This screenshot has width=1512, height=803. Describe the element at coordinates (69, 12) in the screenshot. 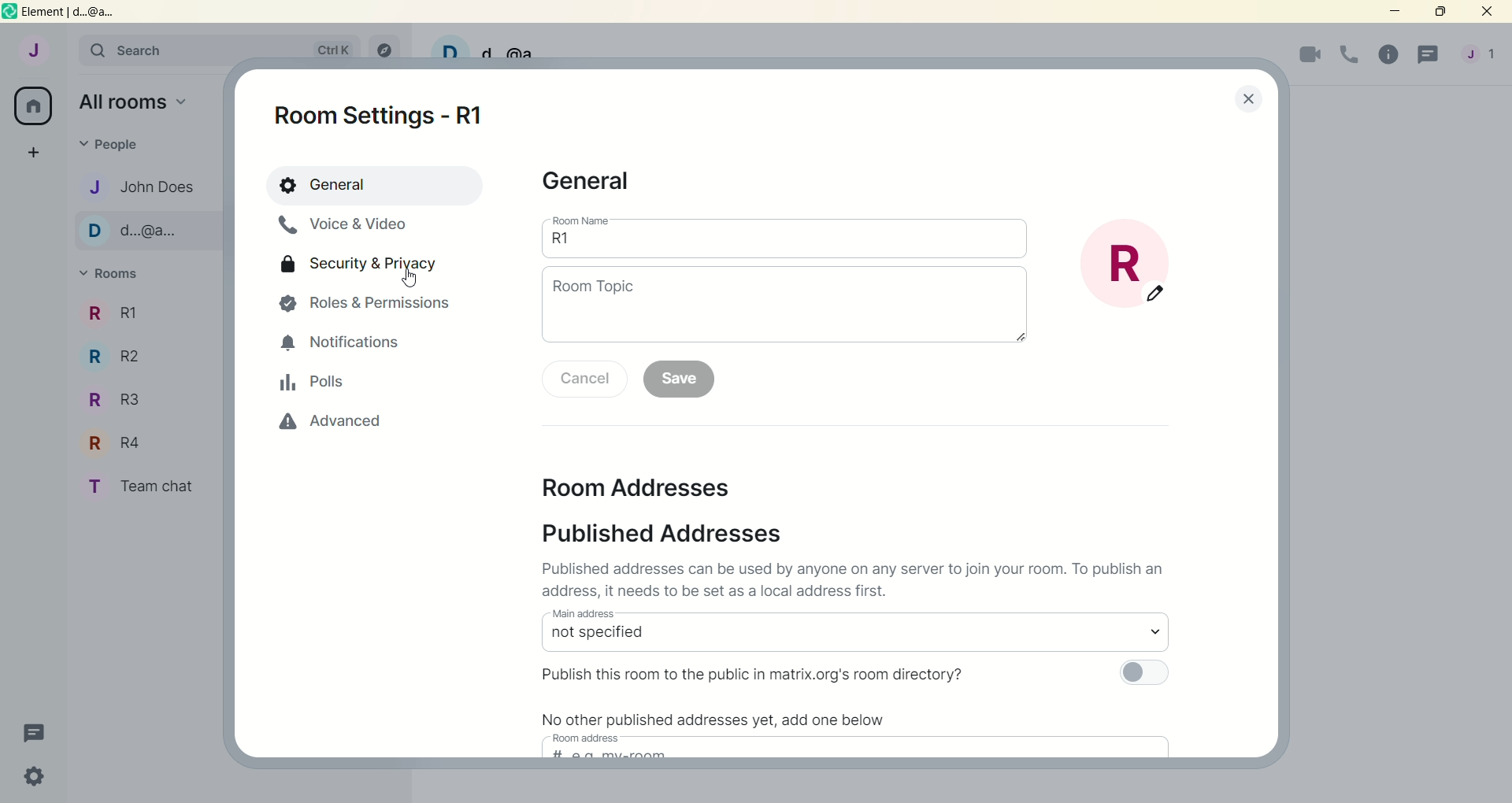

I see `Element | d..@a...` at that location.